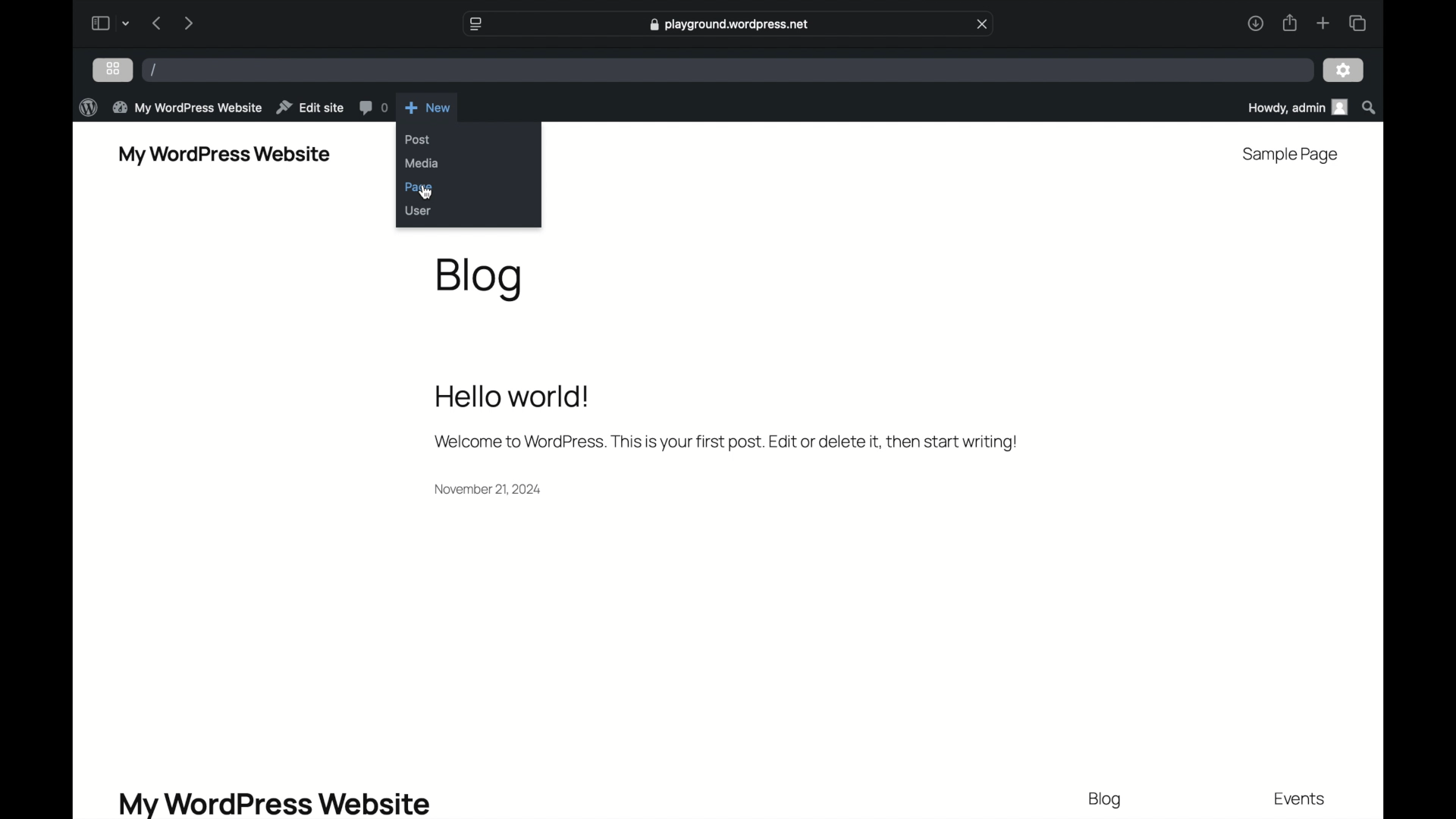 The width and height of the screenshot is (1456, 819). What do you see at coordinates (1369, 107) in the screenshot?
I see `search` at bounding box center [1369, 107].